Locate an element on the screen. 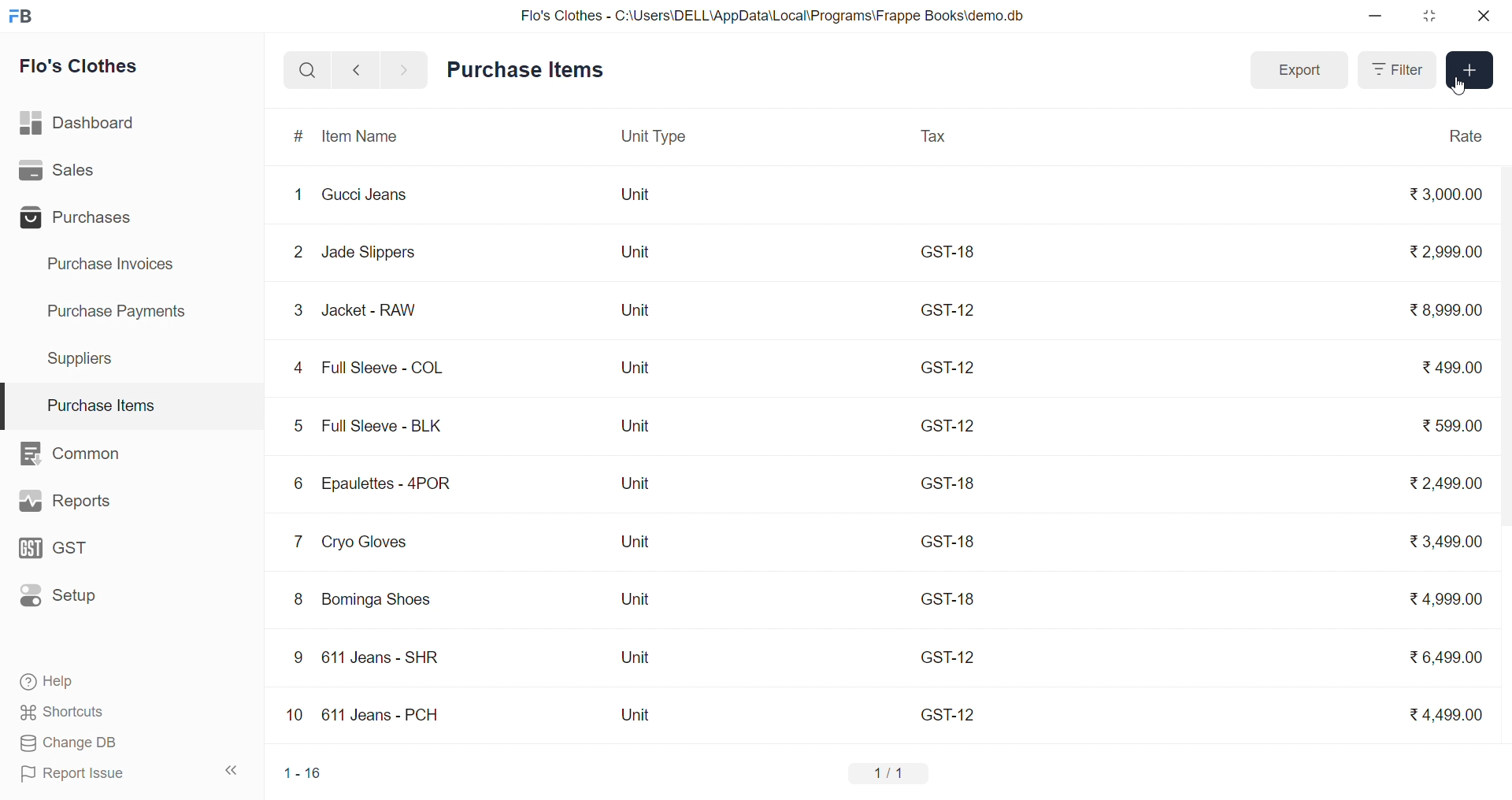 The image size is (1512, 800). GST-12 is located at coordinates (946, 655).